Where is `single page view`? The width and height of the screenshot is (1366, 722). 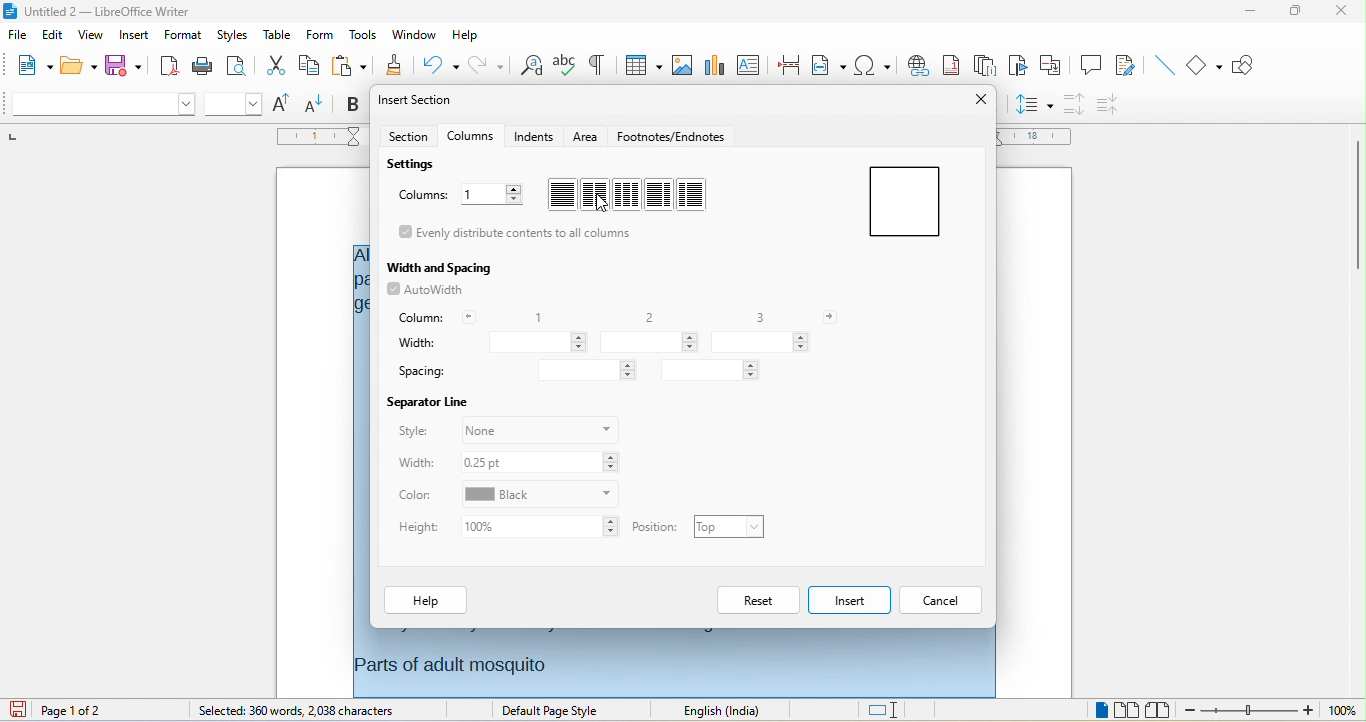
single page view is located at coordinates (1102, 710).